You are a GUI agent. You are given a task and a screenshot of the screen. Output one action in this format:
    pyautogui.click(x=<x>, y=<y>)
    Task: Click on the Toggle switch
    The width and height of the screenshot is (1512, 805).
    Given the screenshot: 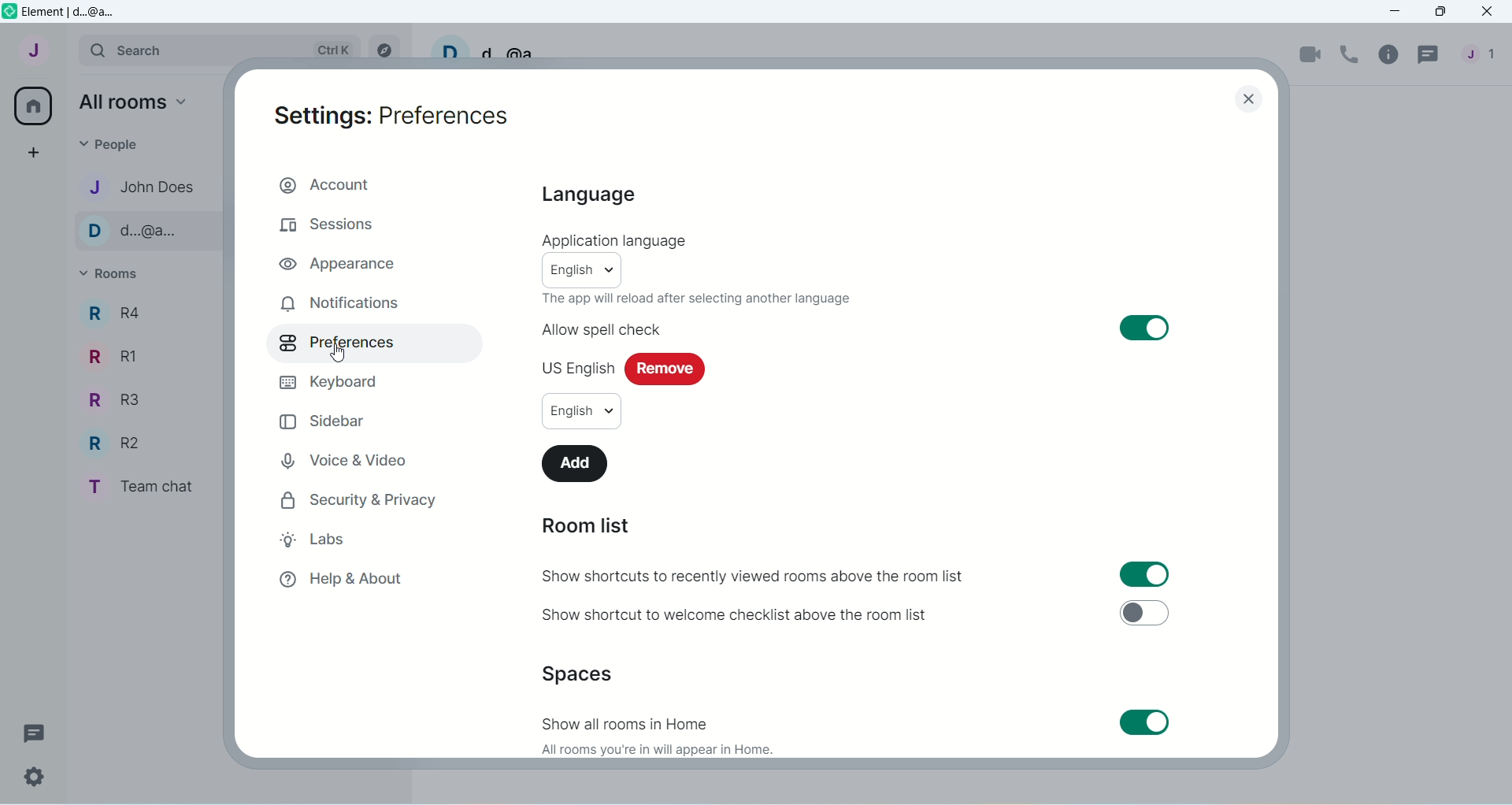 What is the action you would take?
    pyautogui.click(x=1144, y=722)
    